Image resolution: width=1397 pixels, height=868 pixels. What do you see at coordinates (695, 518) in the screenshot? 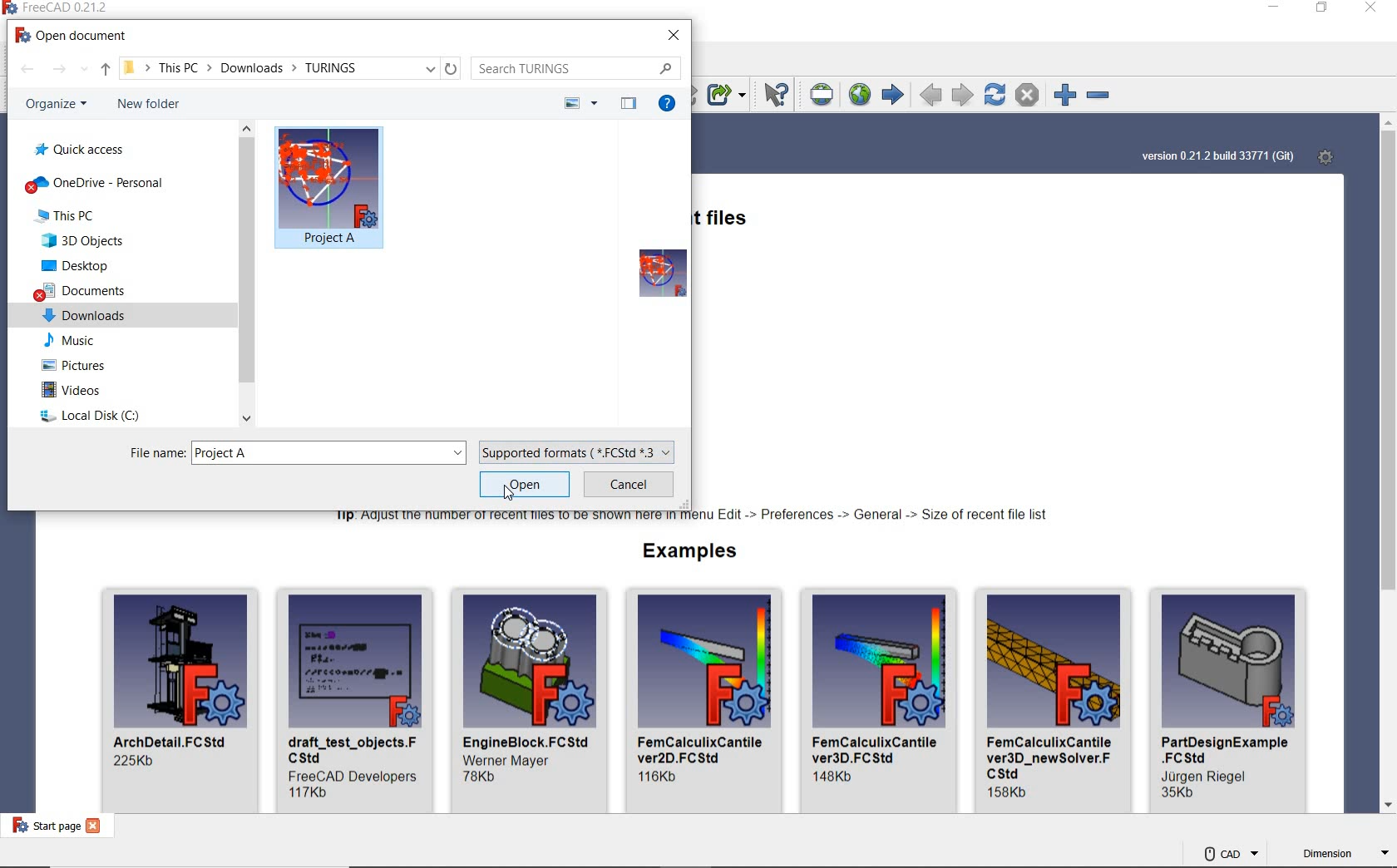
I see `TIP` at bounding box center [695, 518].